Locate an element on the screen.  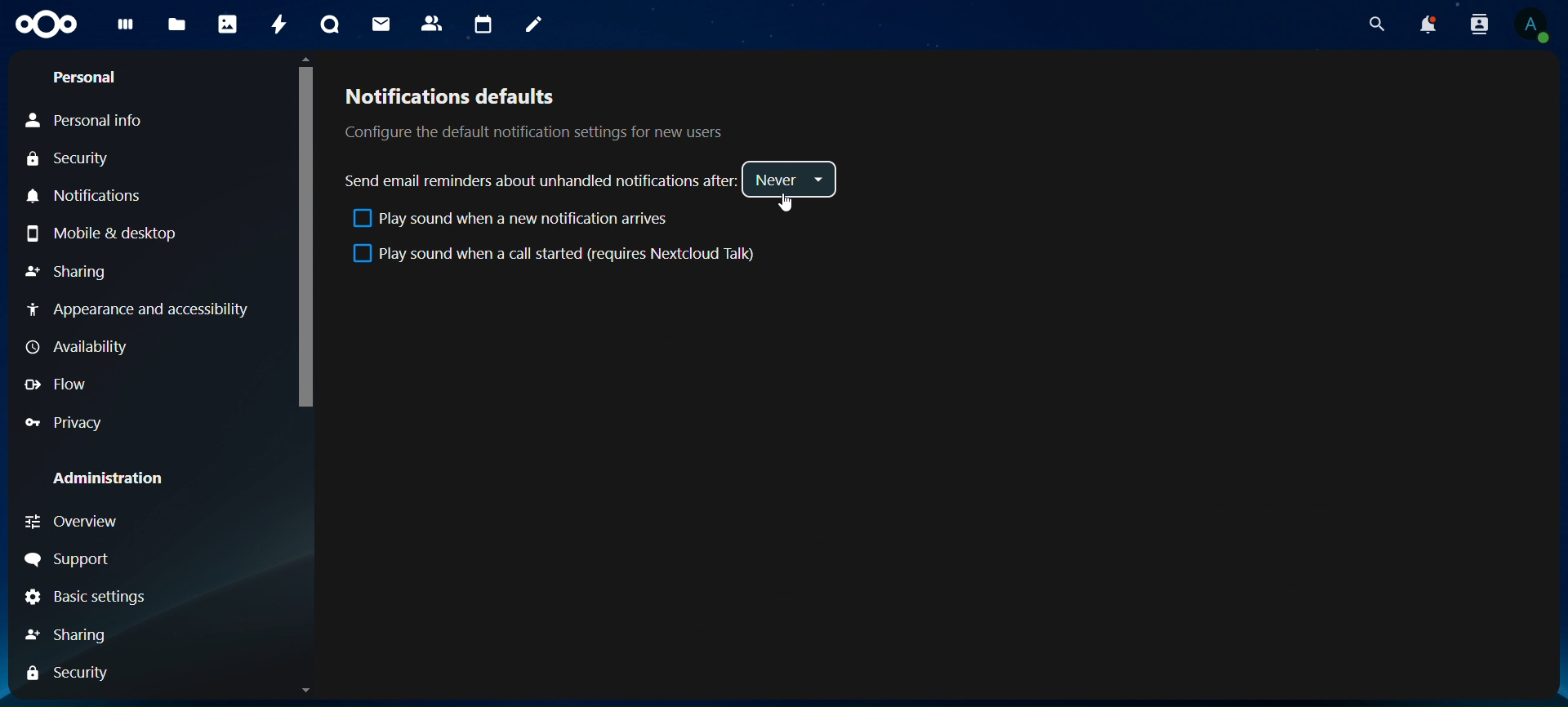
Administration is located at coordinates (103, 478).